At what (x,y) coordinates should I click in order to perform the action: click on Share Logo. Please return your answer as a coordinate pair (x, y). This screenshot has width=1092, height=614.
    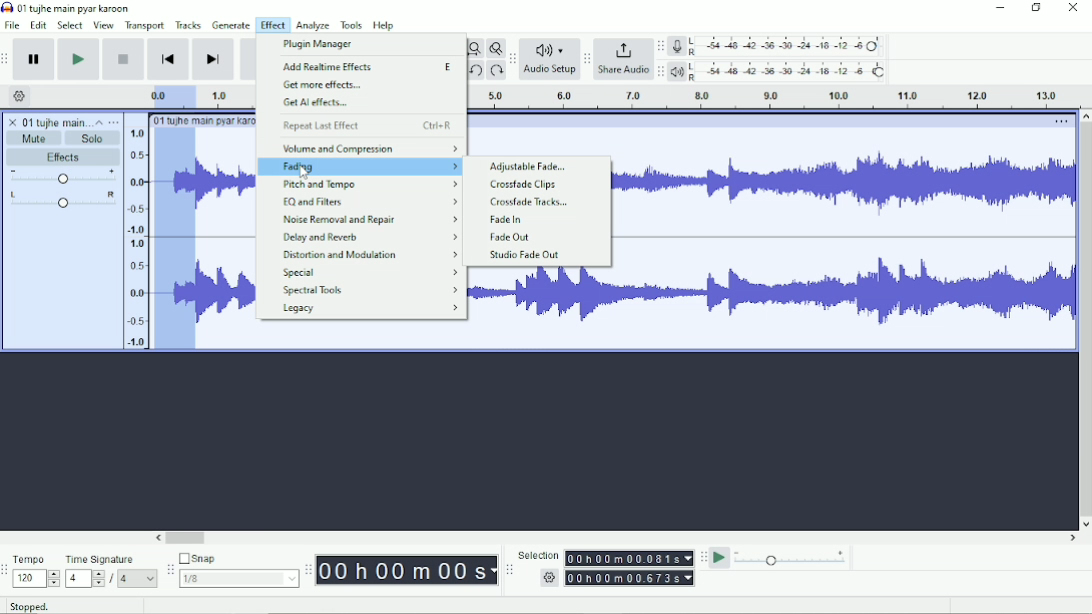
    Looking at the image, I should click on (621, 49).